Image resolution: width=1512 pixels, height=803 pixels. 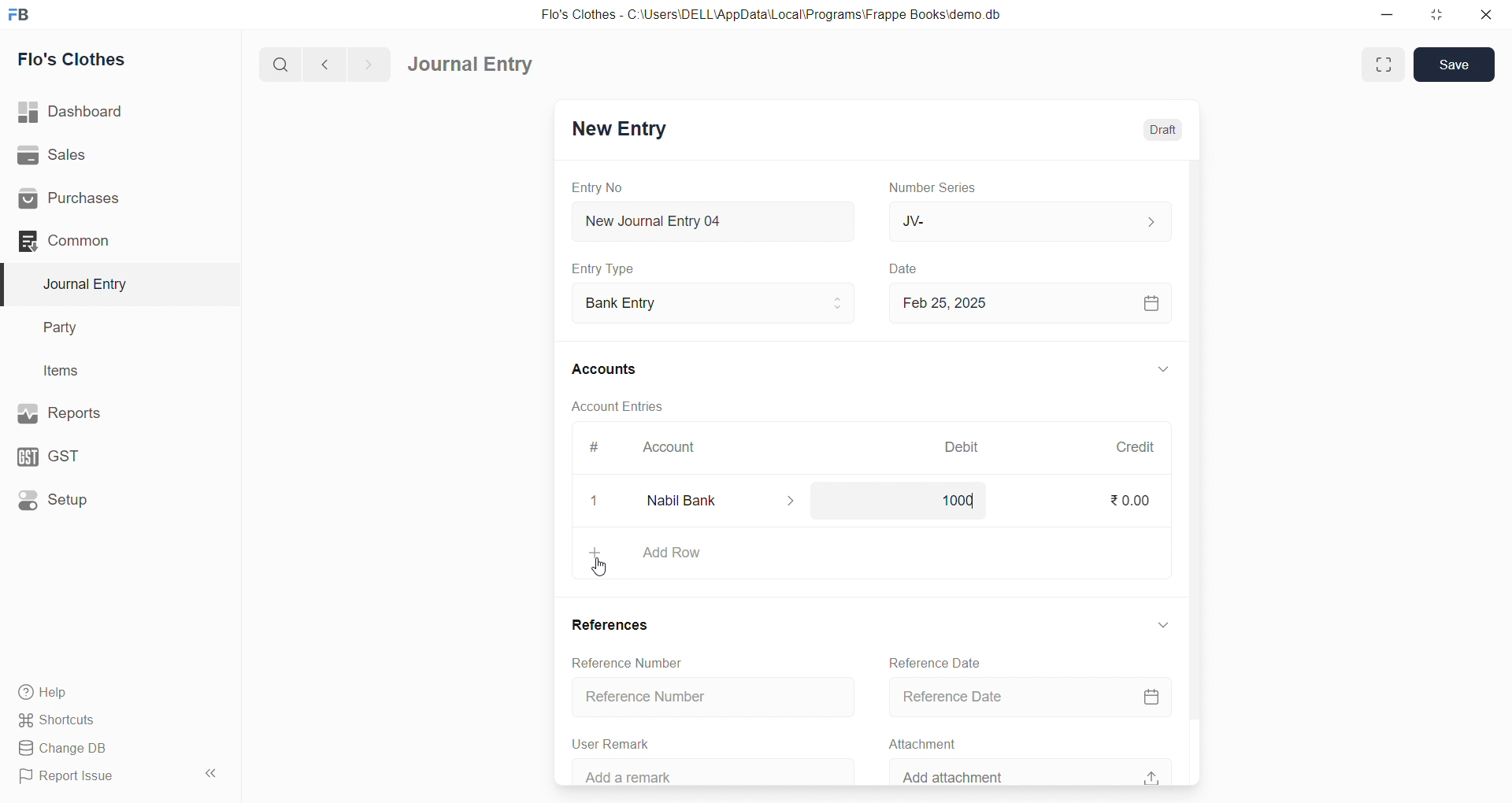 What do you see at coordinates (1152, 371) in the screenshot?
I see `Expand/Collapse` at bounding box center [1152, 371].